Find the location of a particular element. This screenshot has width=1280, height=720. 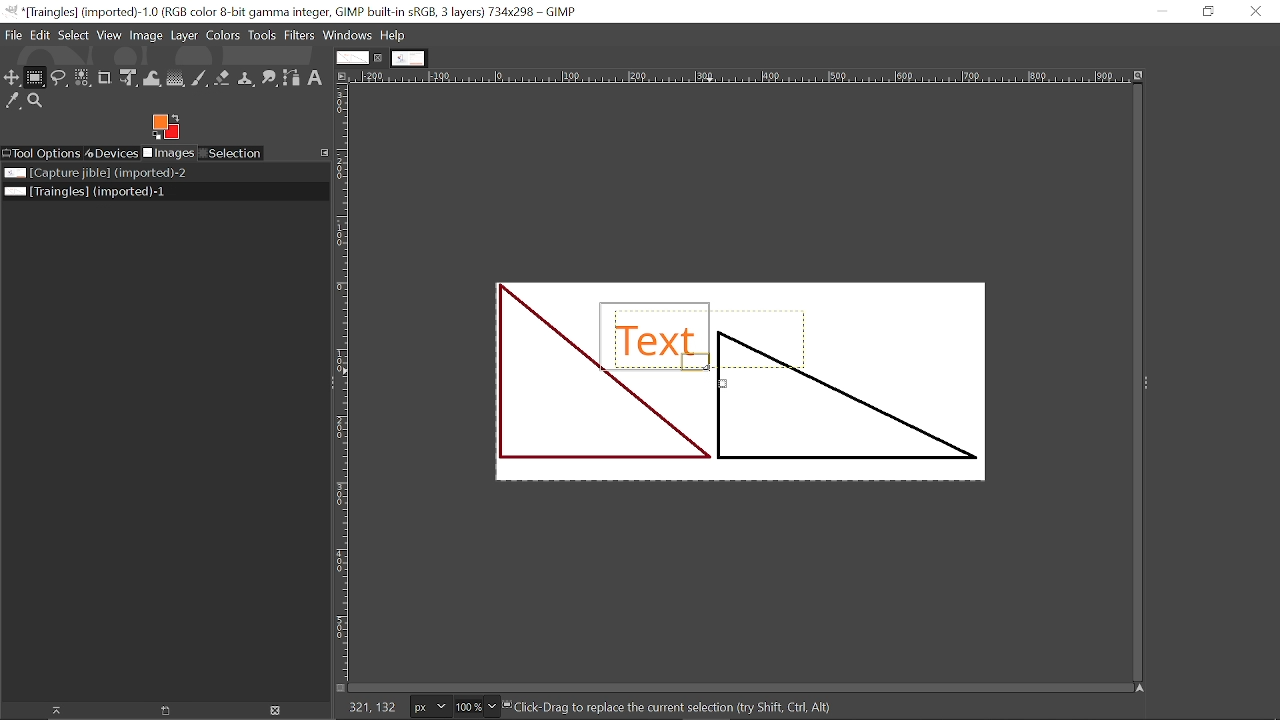

Unified transform tool is located at coordinates (128, 77).